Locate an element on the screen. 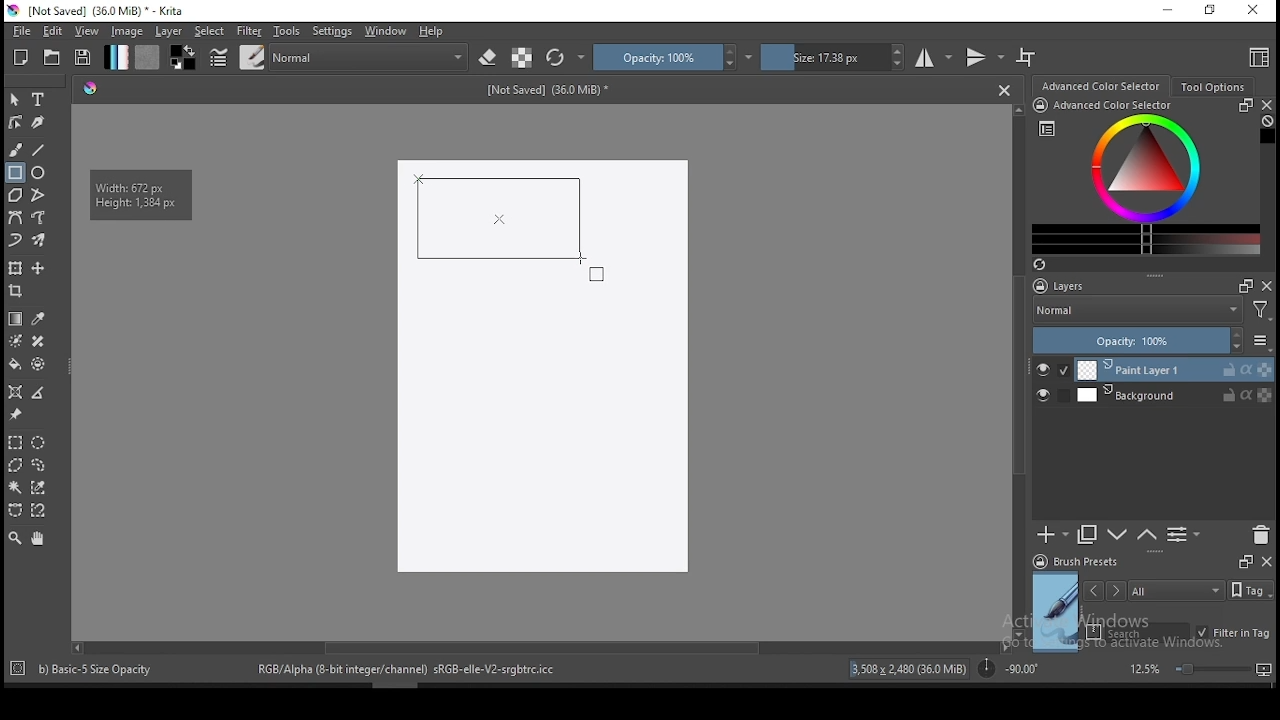 This screenshot has height=720, width=1280. bezier curve selection tool is located at coordinates (15, 511).